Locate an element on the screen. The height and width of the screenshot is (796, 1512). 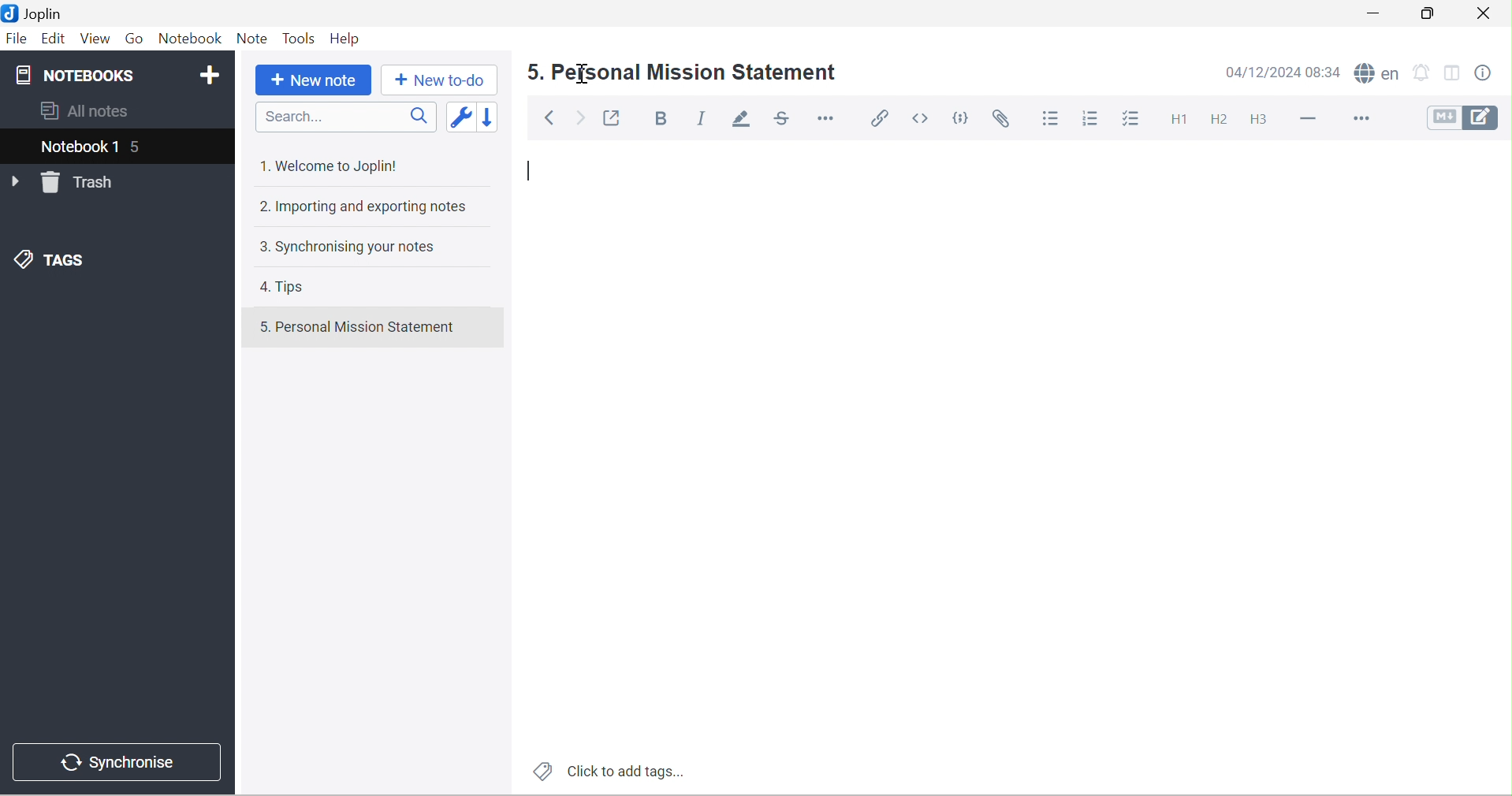
Typing cursor is located at coordinates (530, 171).